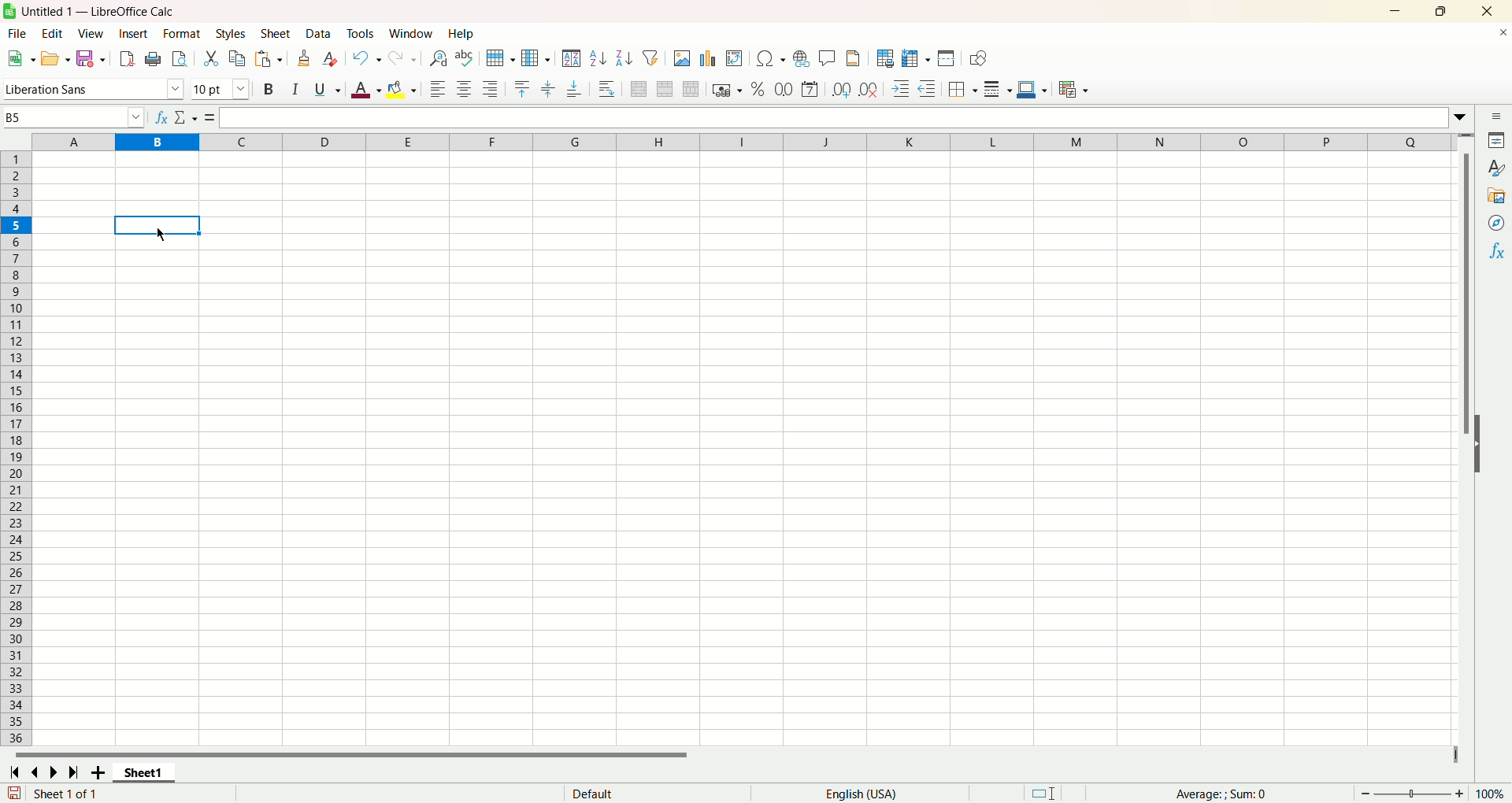 The width and height of the screenshot is (1512, 803). What do you see at coordinates (128, 57) in the screenshot?
I see `export directly as PDF` at bounding box center [128, 57].